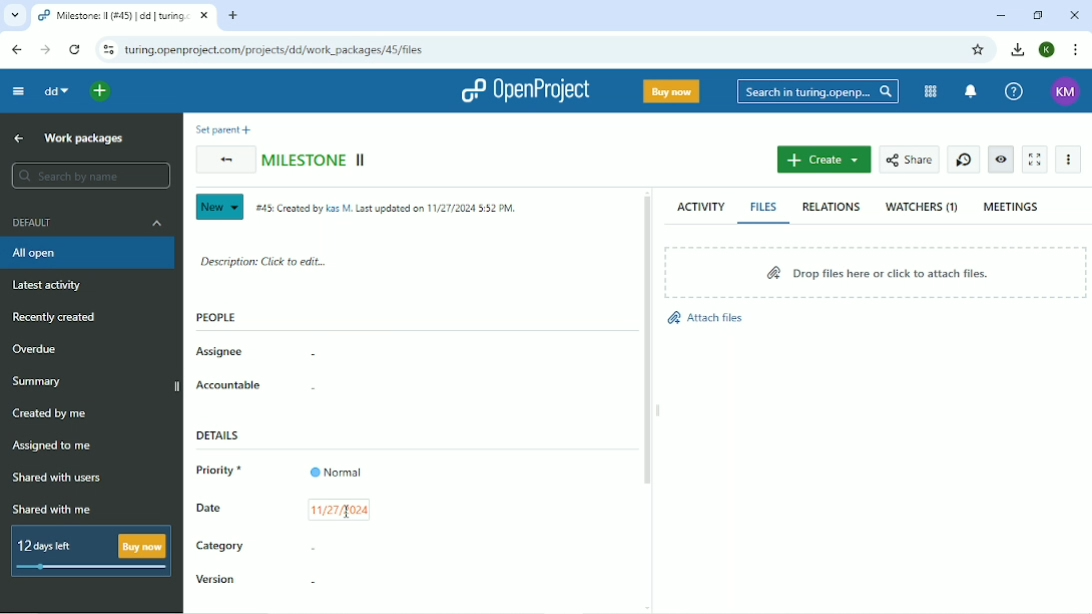  What do you see at coordinates (74, 49) in the screenshot?
I see `Reload this page` at bounding box center [74, 49].